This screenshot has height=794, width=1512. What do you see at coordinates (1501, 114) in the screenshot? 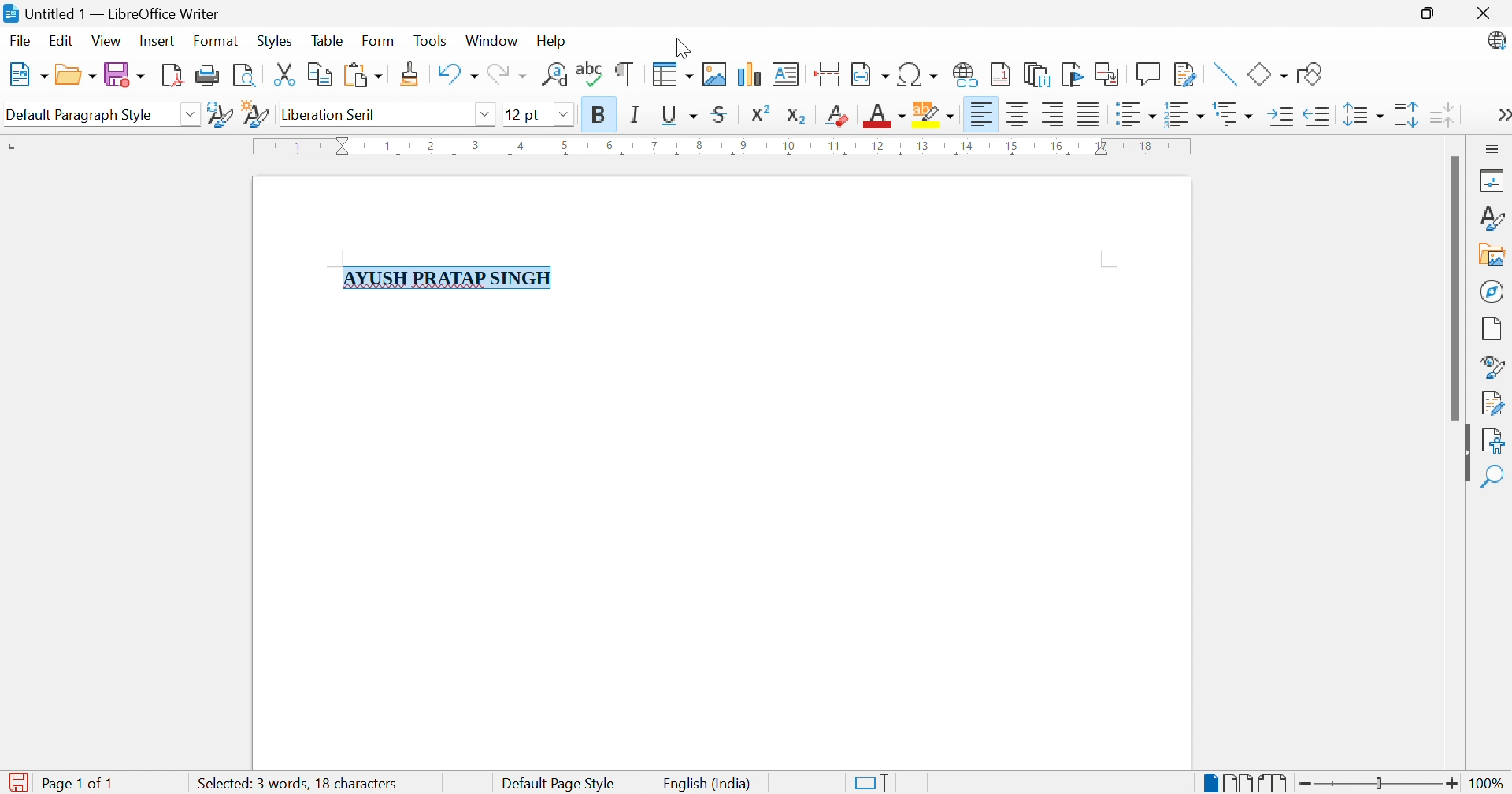
I see `More` at bounding box center [1501, 114].